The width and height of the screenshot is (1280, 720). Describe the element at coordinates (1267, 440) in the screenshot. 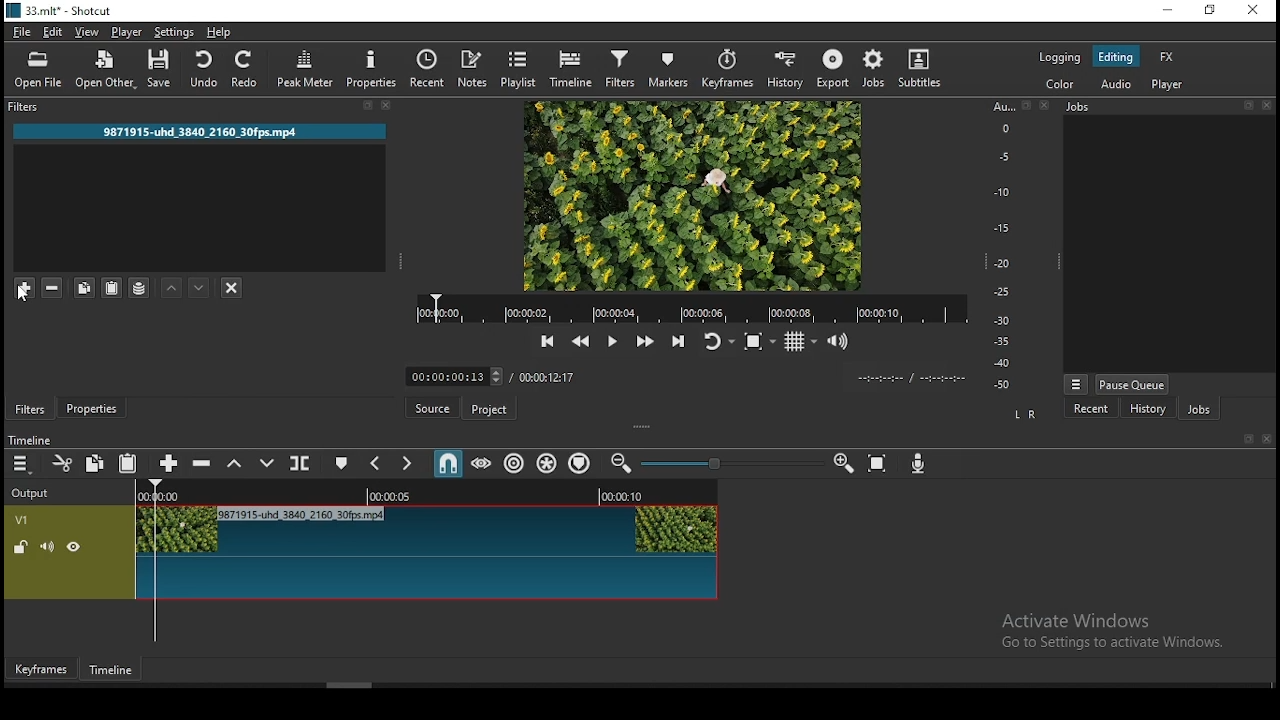

I see `close` at that location.